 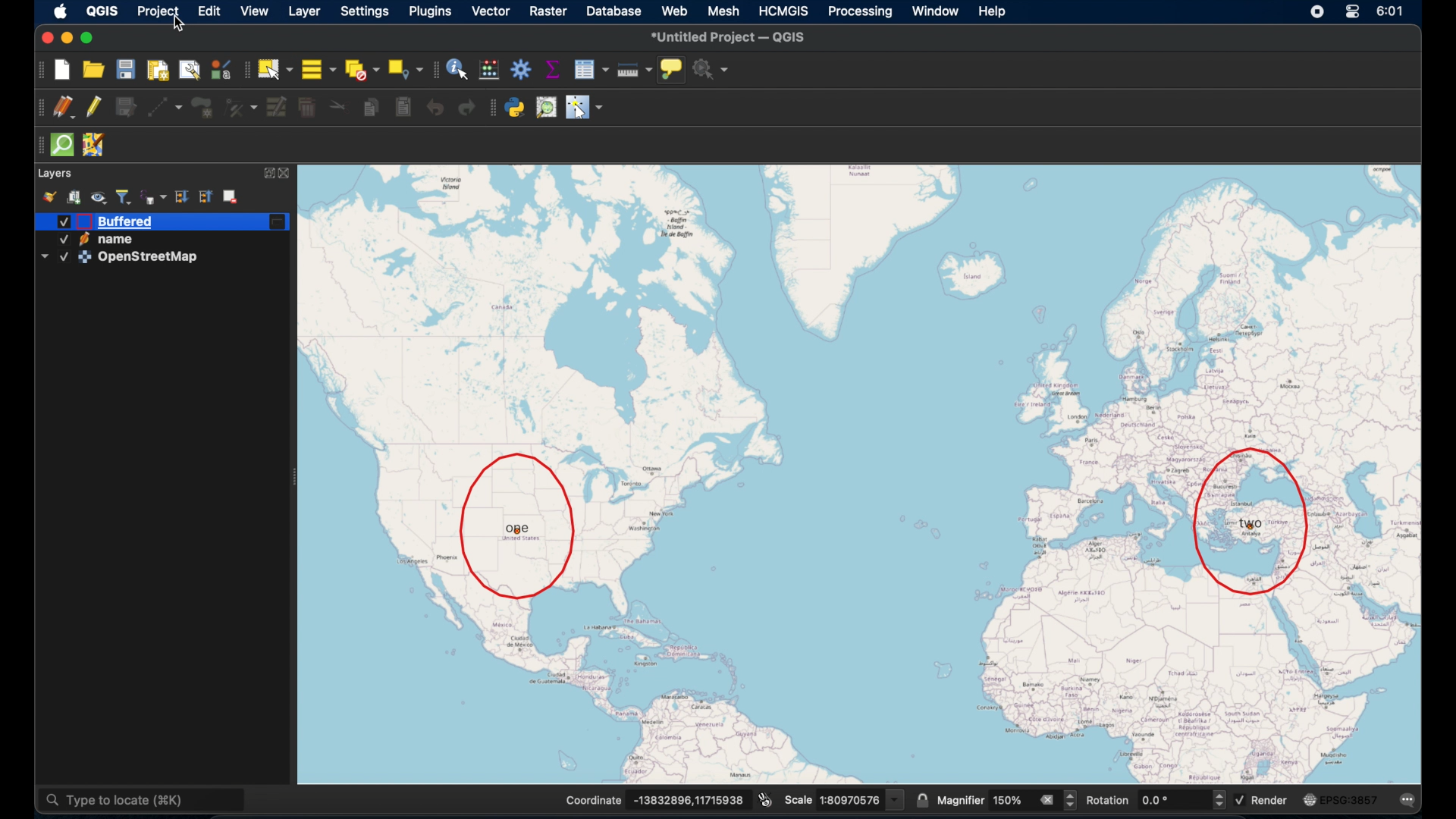 I want to click on undo, so click(x=434, y=108).